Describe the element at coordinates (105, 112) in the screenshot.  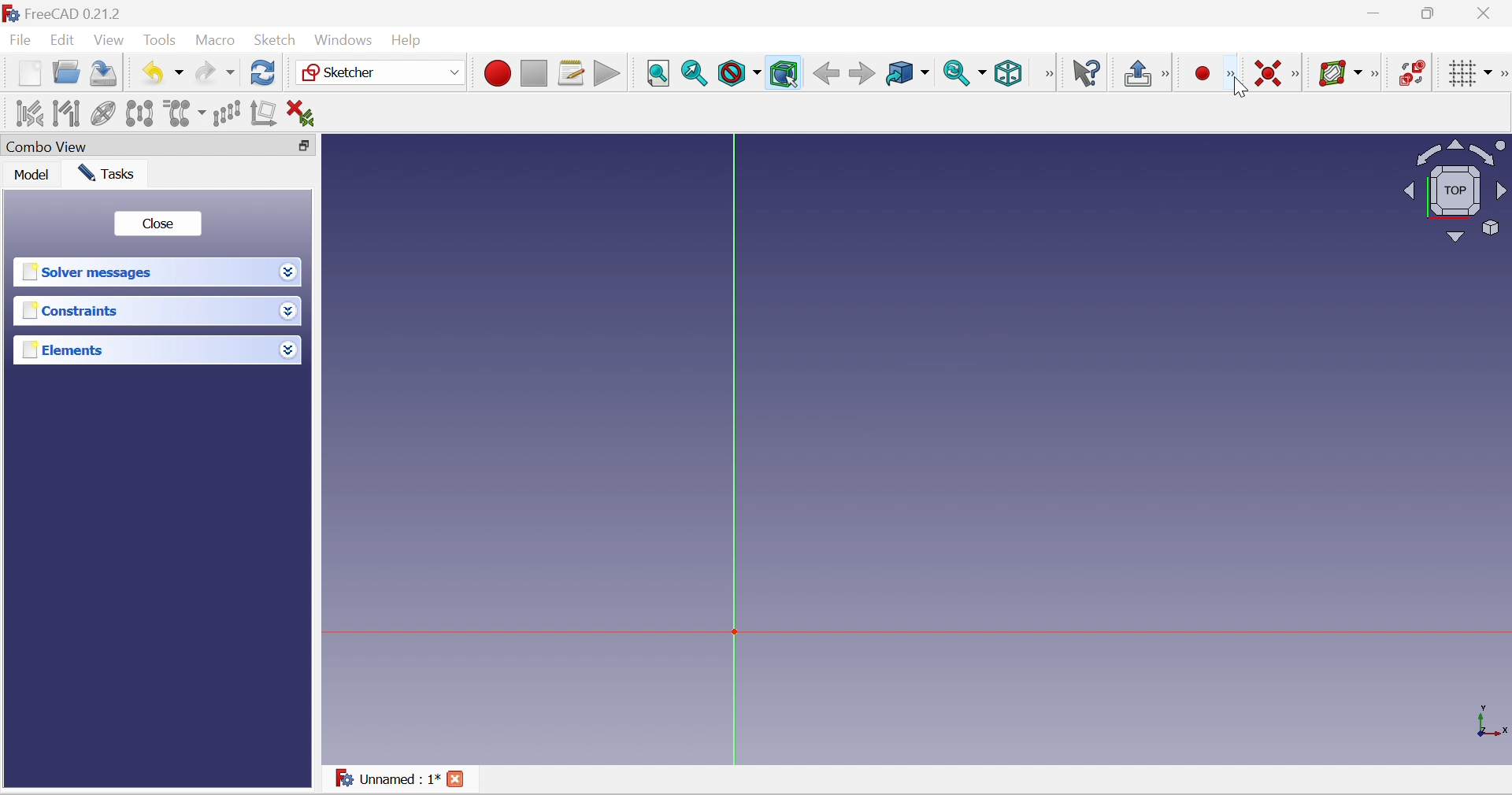
I see `Show/hide internal geometry` at that location.